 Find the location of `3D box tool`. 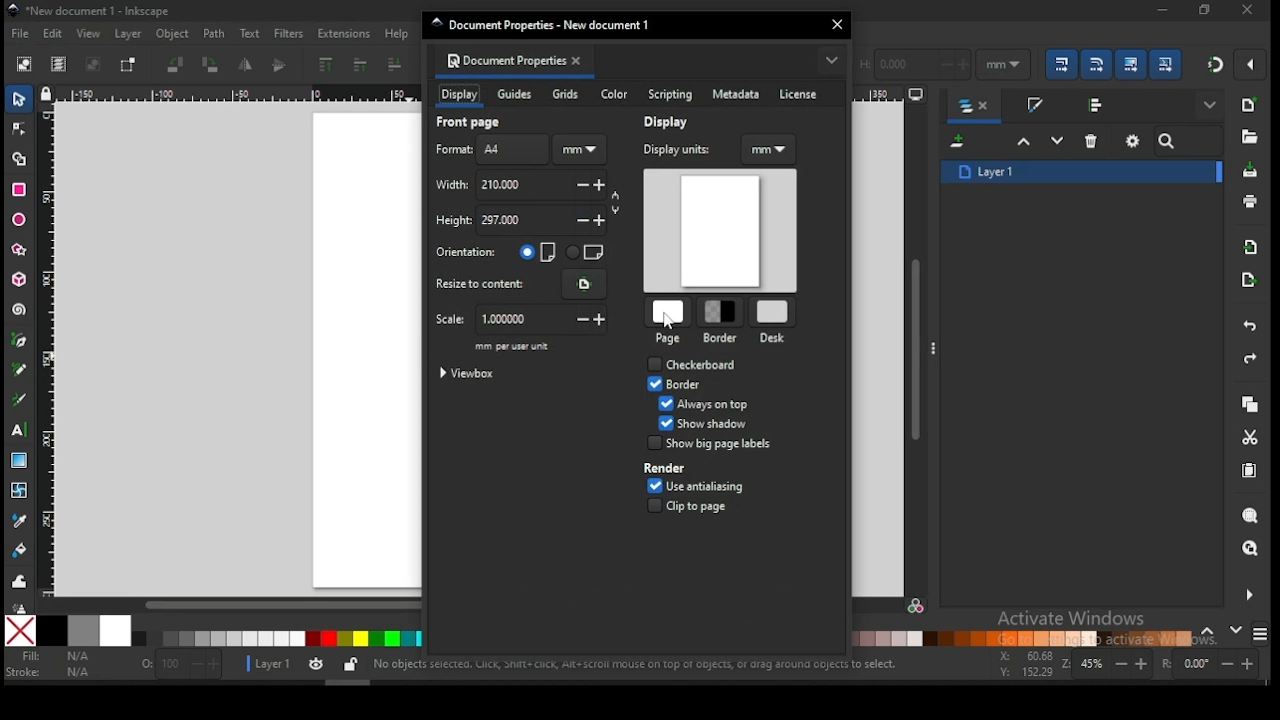

3D box tool is located at coordinates (21, 279).